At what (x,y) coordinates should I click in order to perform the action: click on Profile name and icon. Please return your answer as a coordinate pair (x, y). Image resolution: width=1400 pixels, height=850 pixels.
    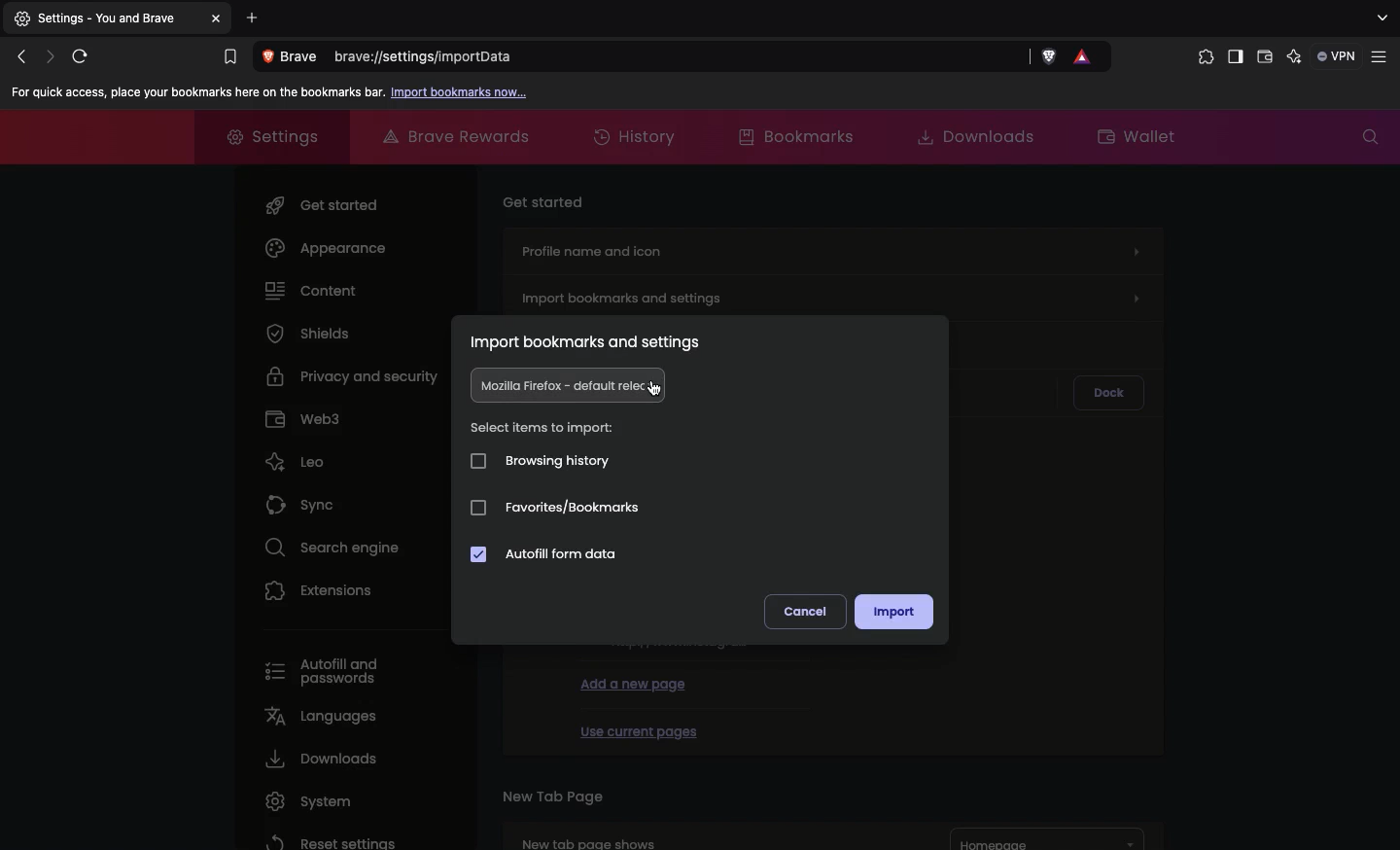
    Looking at the image, I should click on (830, 248).